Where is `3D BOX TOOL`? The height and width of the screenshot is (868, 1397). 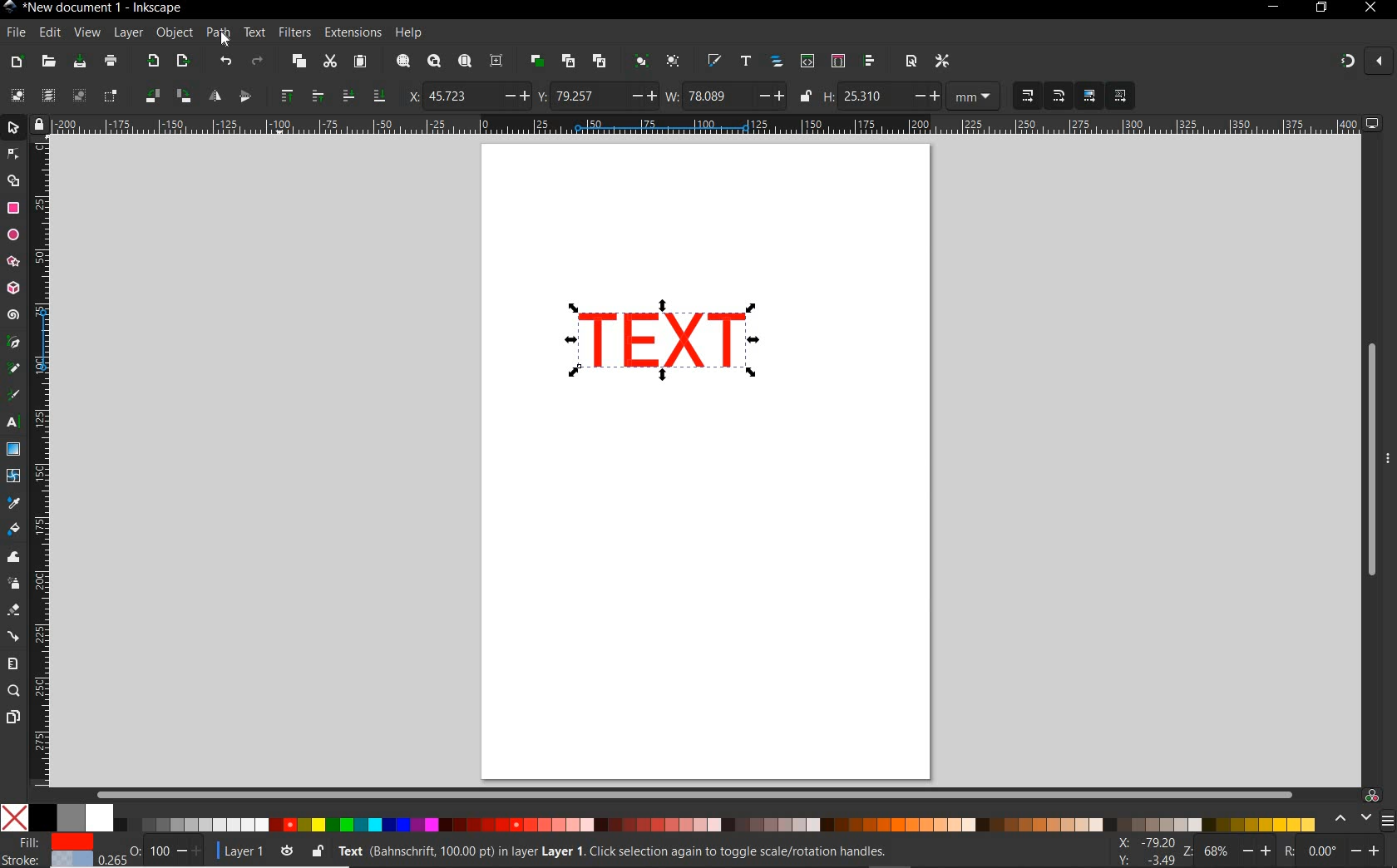 3D BOX TOOL is located at coordinates (12, 289).